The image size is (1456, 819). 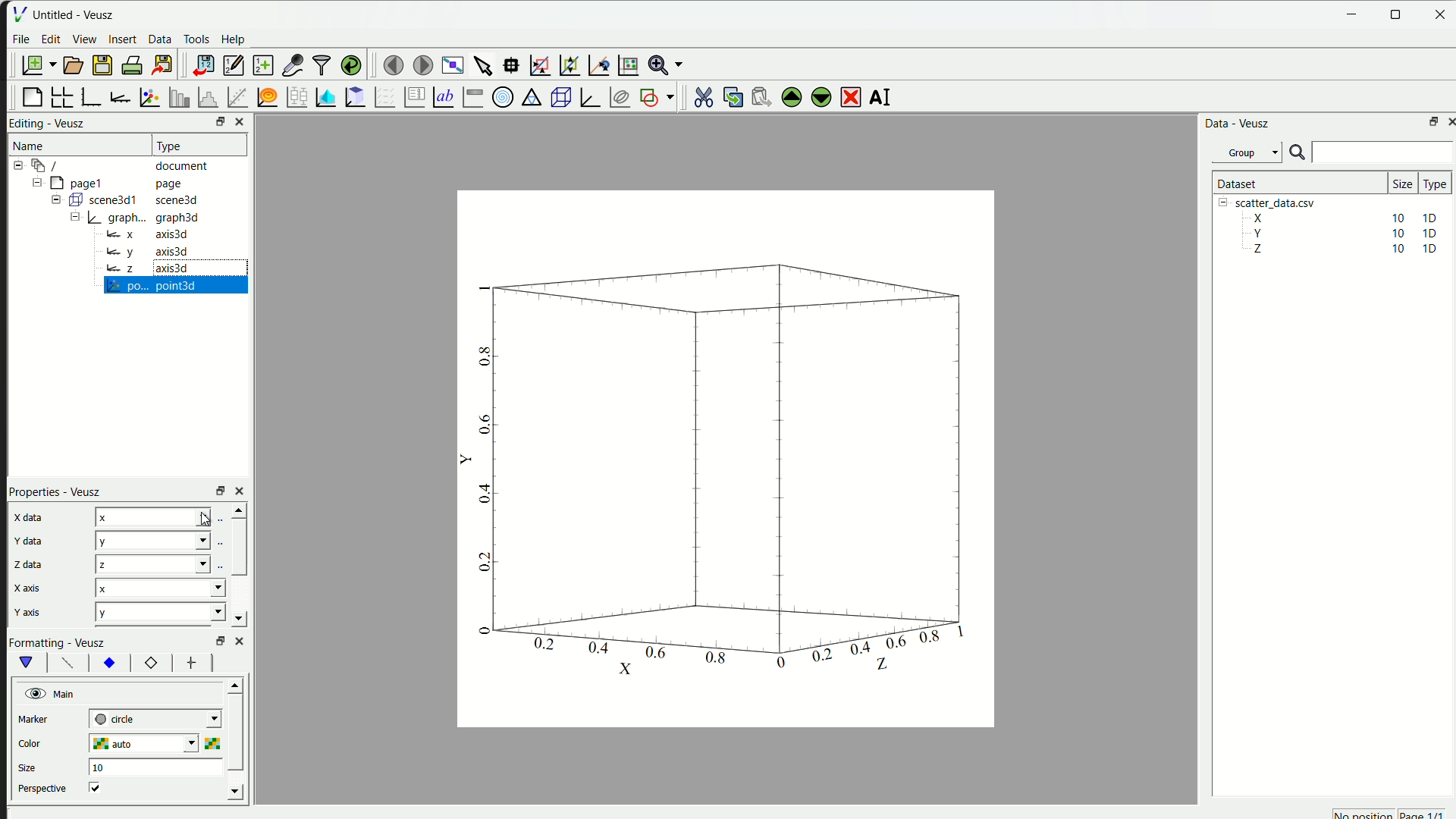 I want to click on clipboard, so click(x=353, y=97).